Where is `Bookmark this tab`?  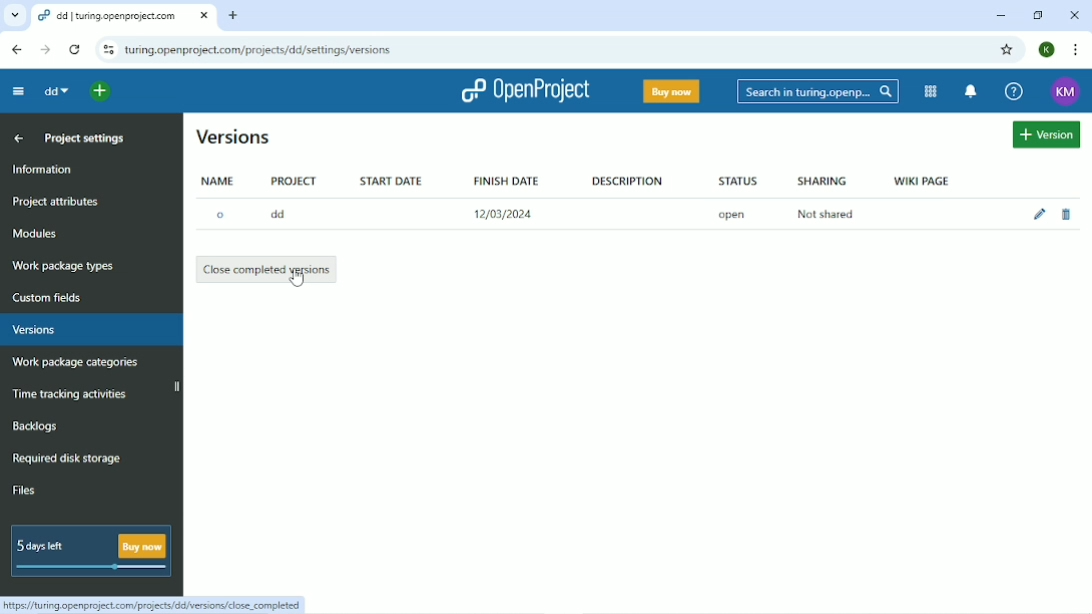 Bookmark this tab is located at coordinates (1007, 49).